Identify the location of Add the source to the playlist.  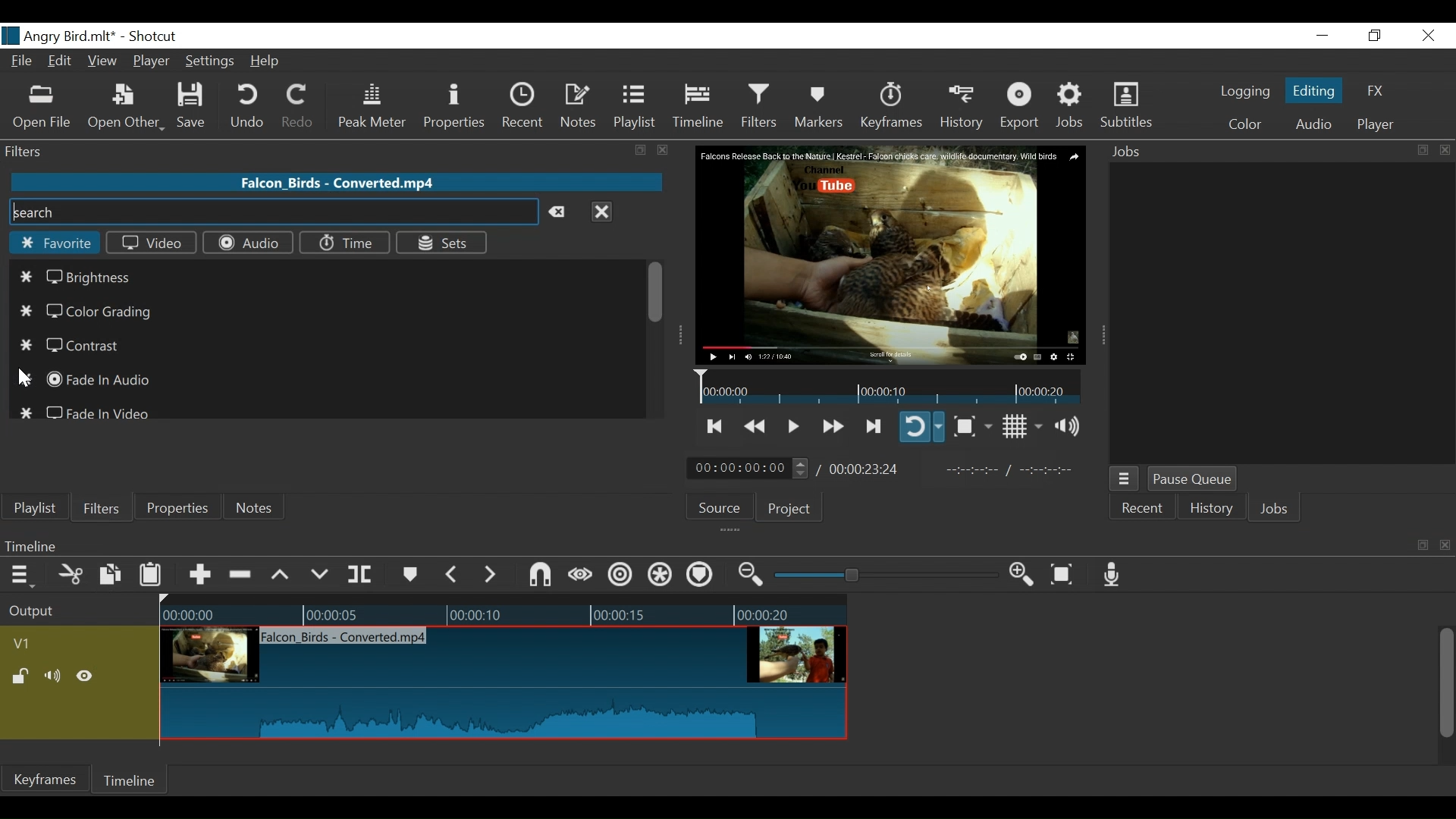
(71, 472).